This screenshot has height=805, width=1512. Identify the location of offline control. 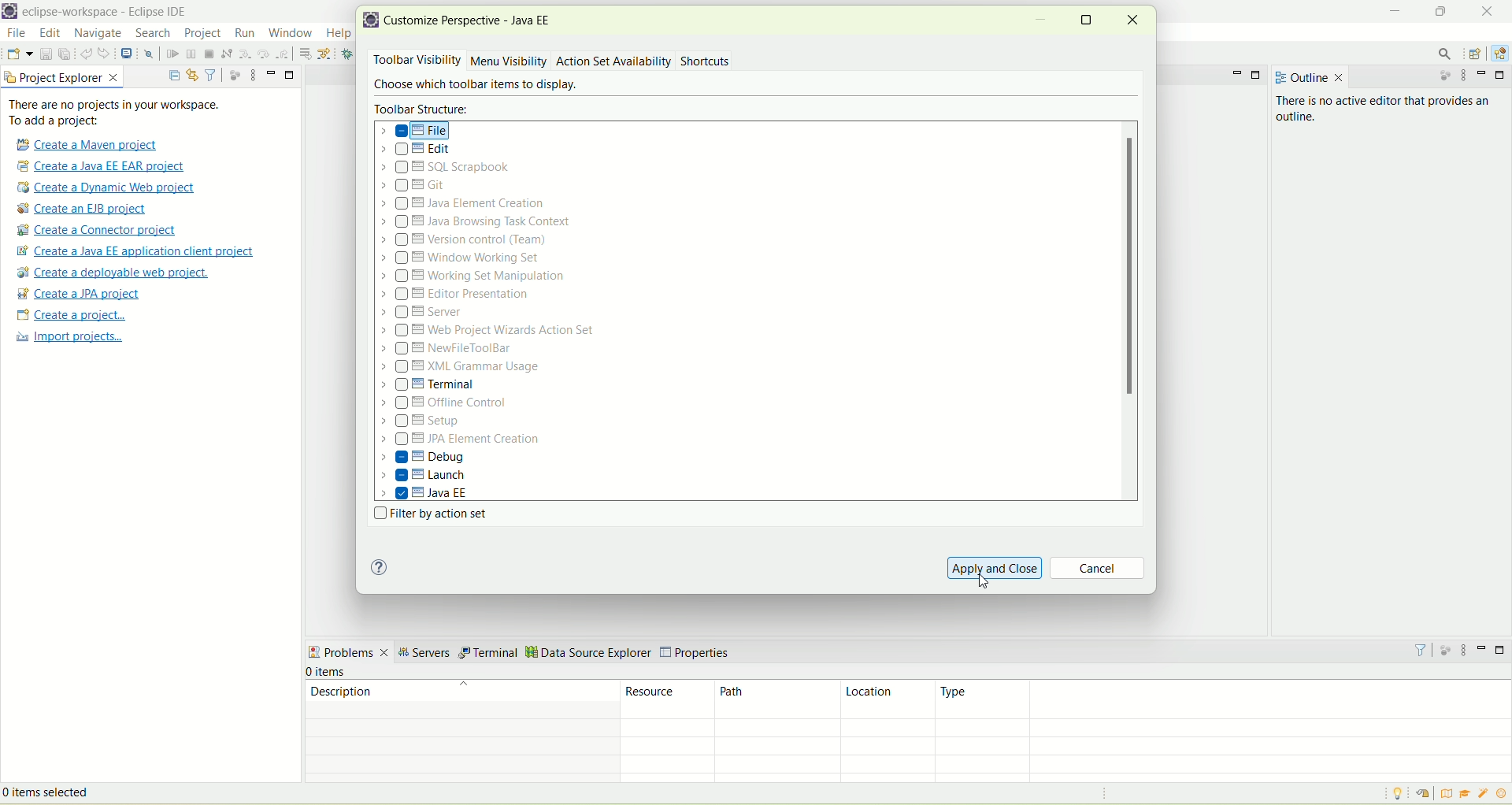
(447, 406).